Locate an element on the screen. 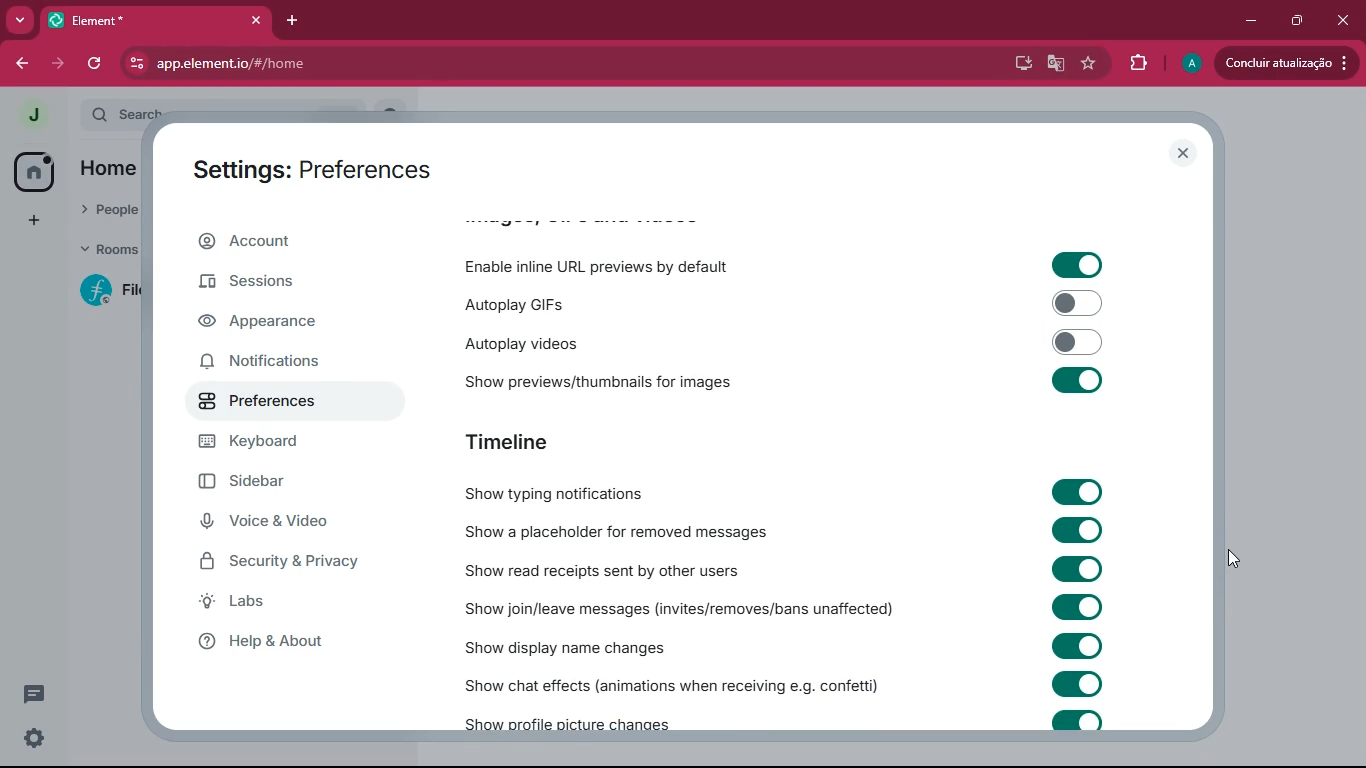 This screenshot has height=768, width=1366. autoplay videos is located at coordinates (557, 344).